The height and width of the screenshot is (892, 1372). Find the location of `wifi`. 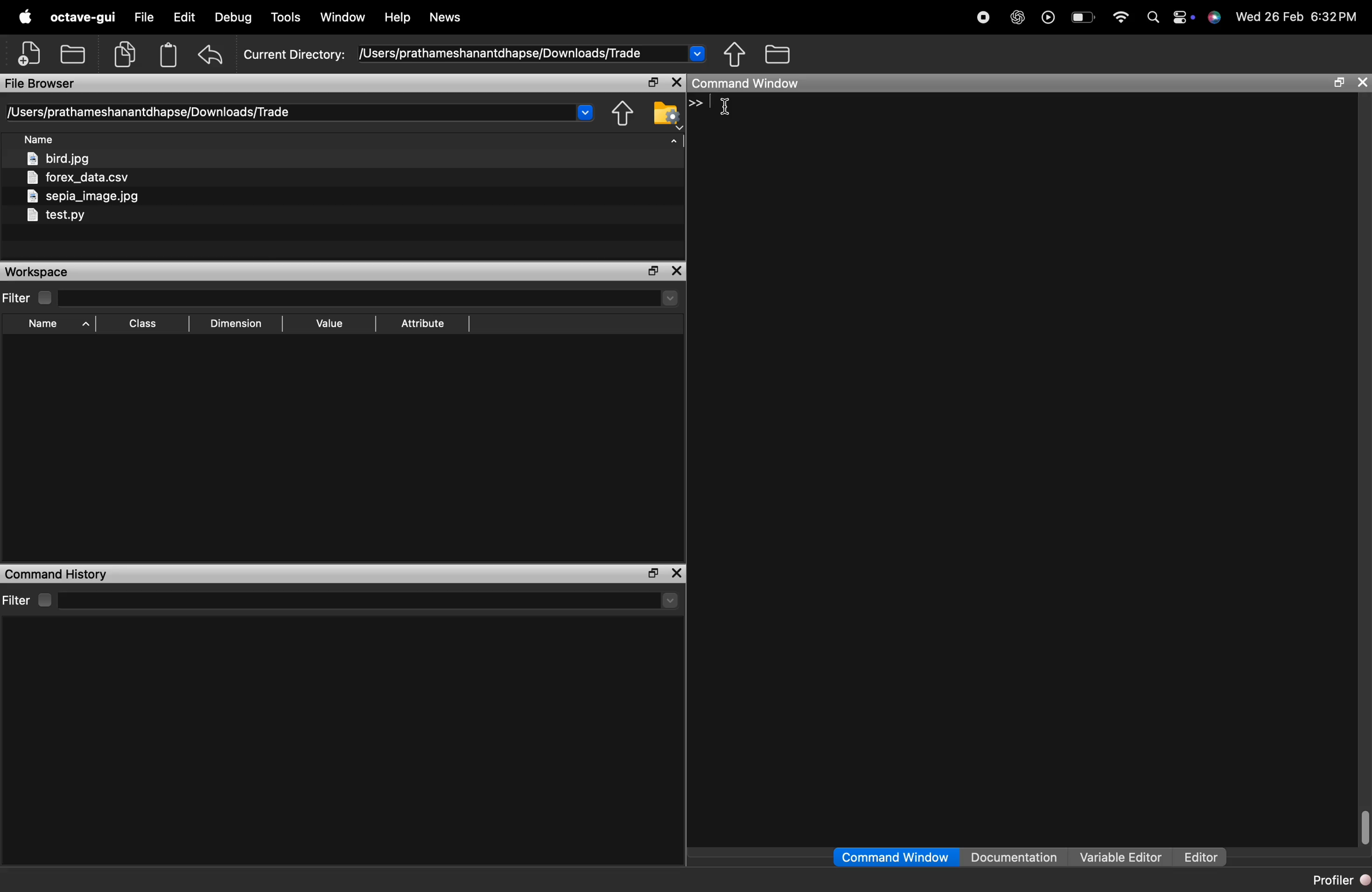

wifi is located at coordinates (1121, 17).